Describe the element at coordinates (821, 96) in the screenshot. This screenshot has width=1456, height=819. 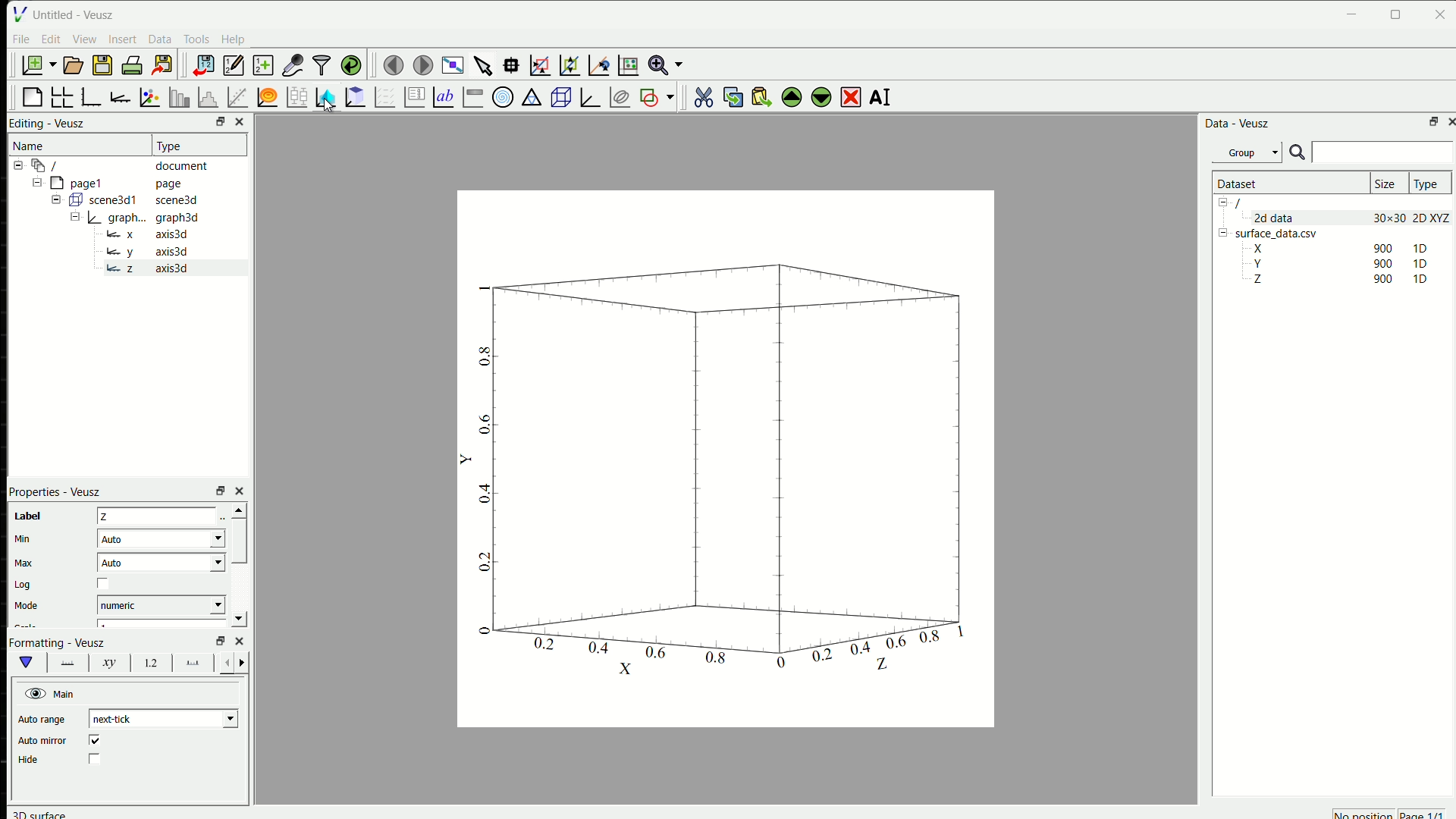
I see `move the selected widget down` at that location.